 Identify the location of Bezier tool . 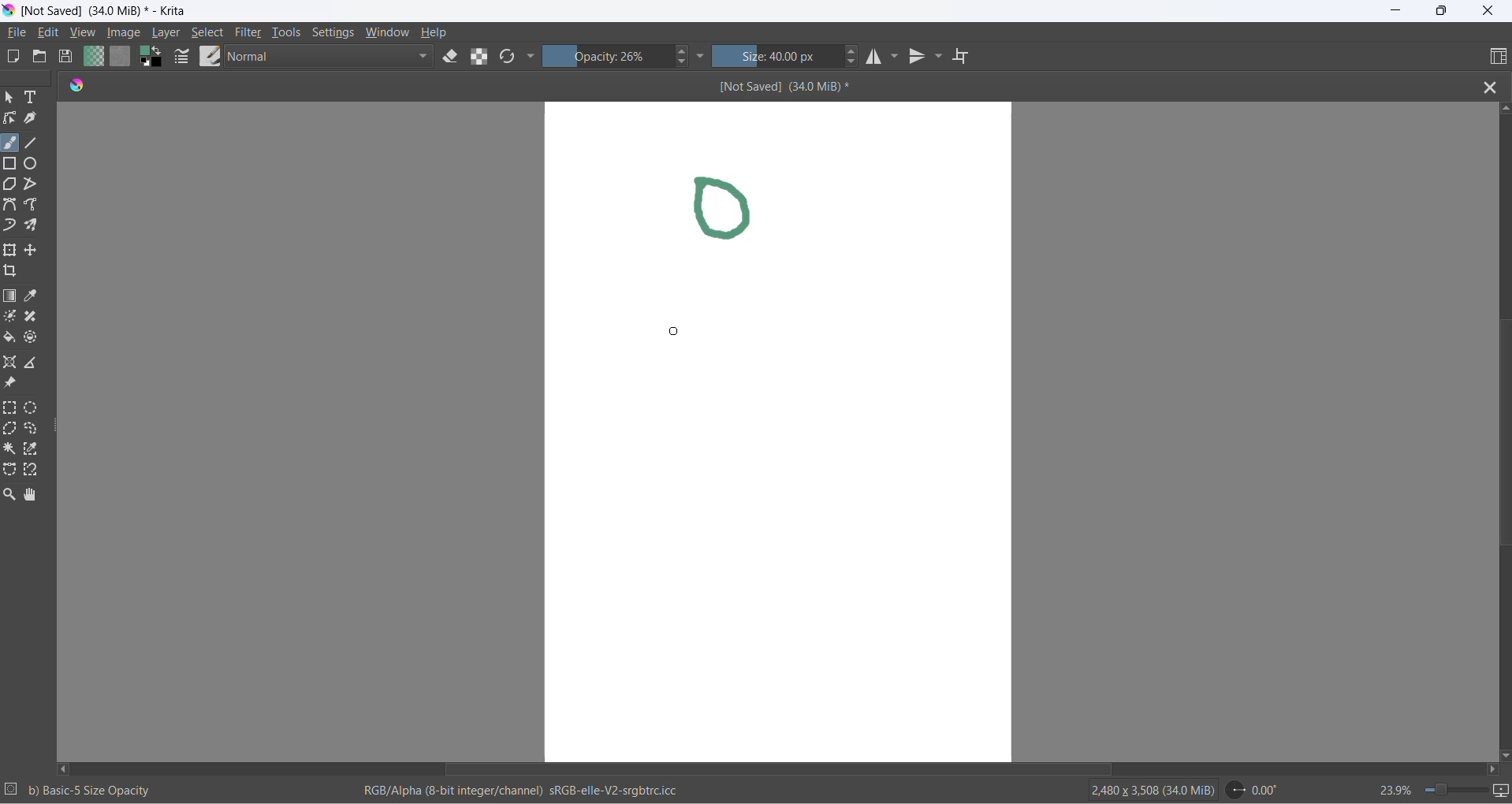
(10, 206).